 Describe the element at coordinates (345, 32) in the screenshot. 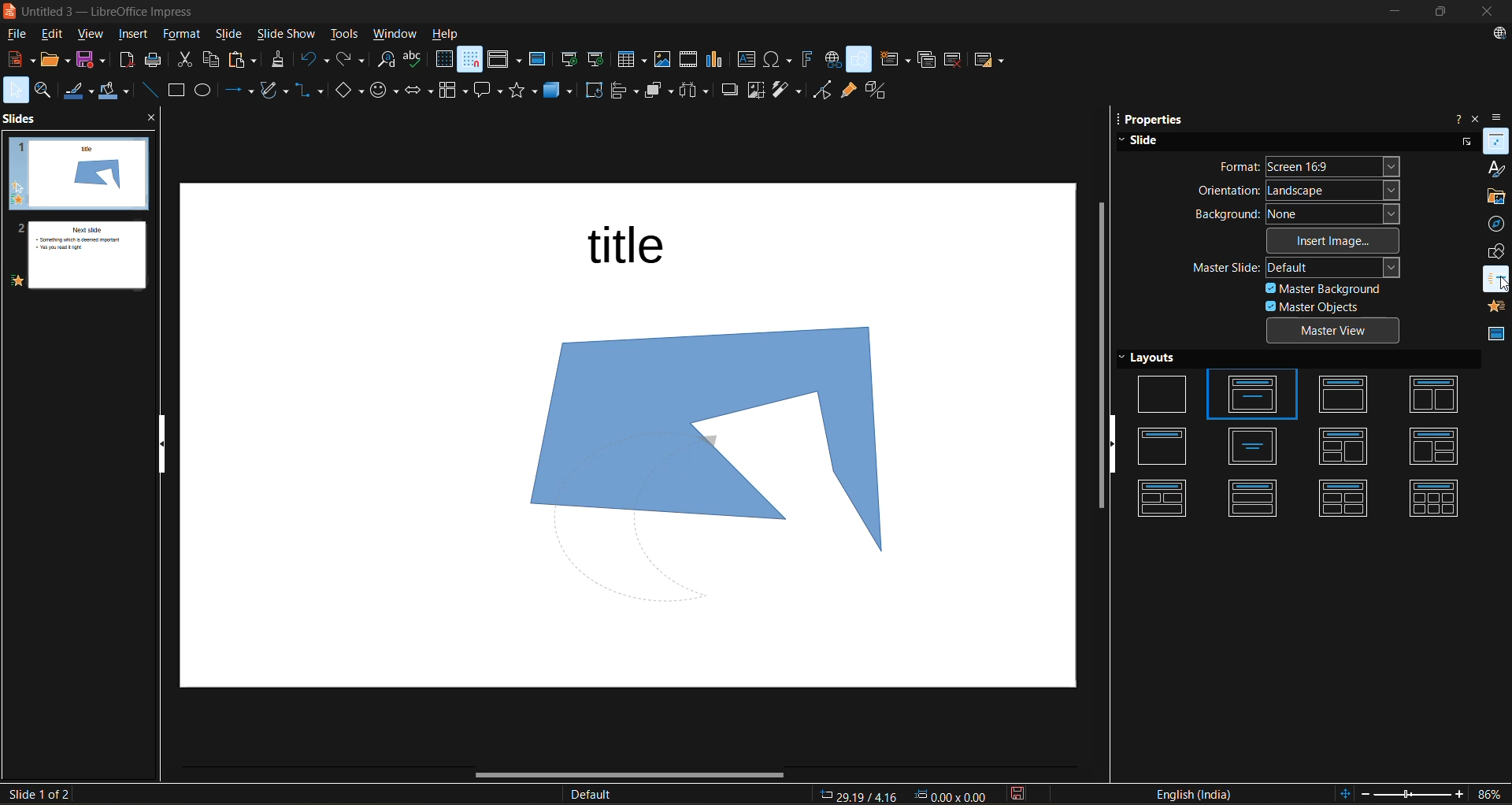

I see `tools` at that location.